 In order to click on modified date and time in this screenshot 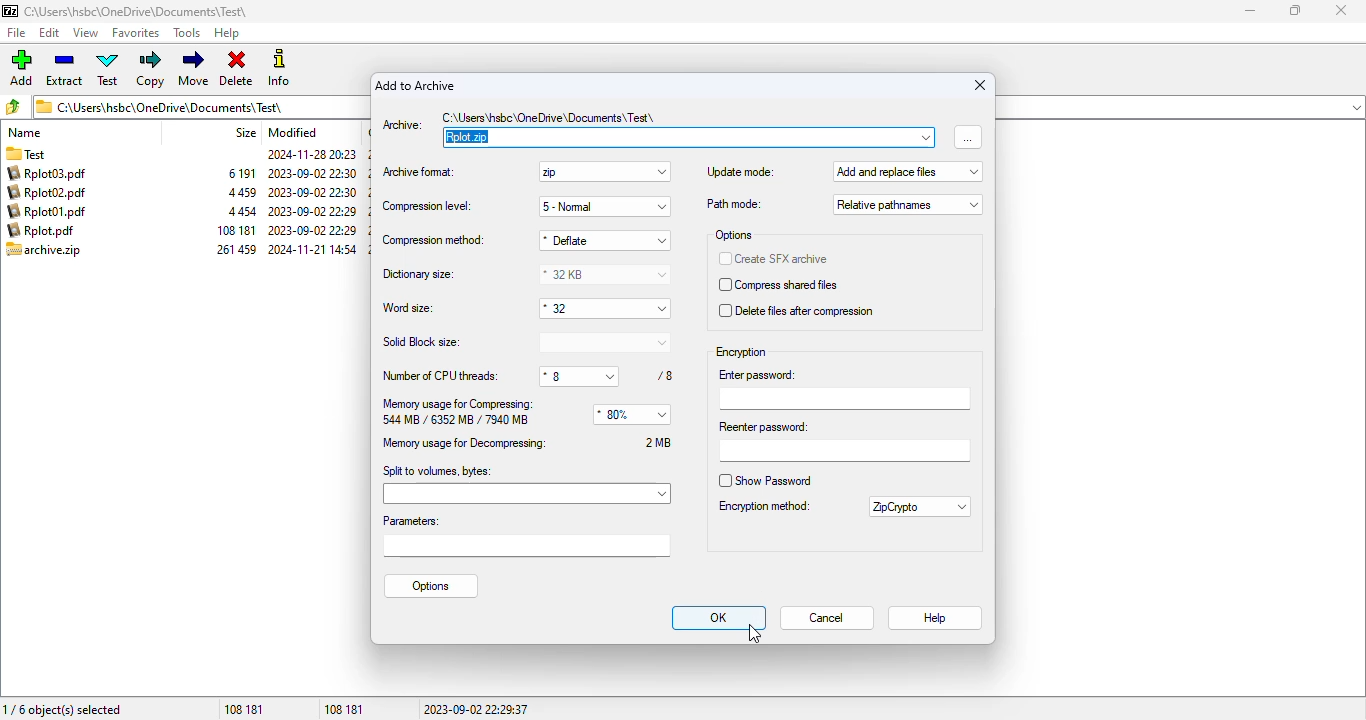, I will do `click(312, 203)`.